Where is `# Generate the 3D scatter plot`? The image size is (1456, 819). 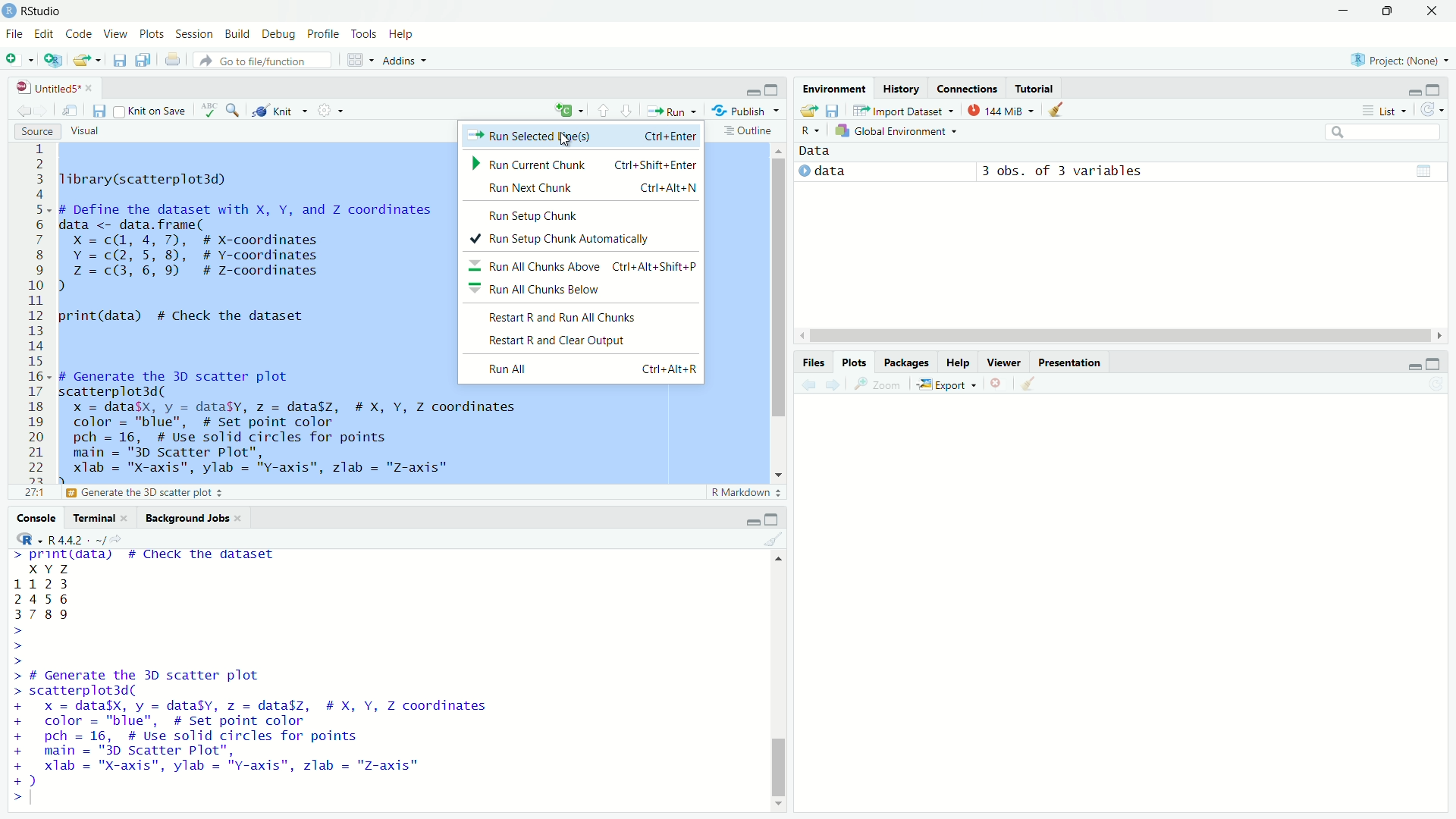
# Generate the 3D scatter plot is located at coordinates (173, 370).